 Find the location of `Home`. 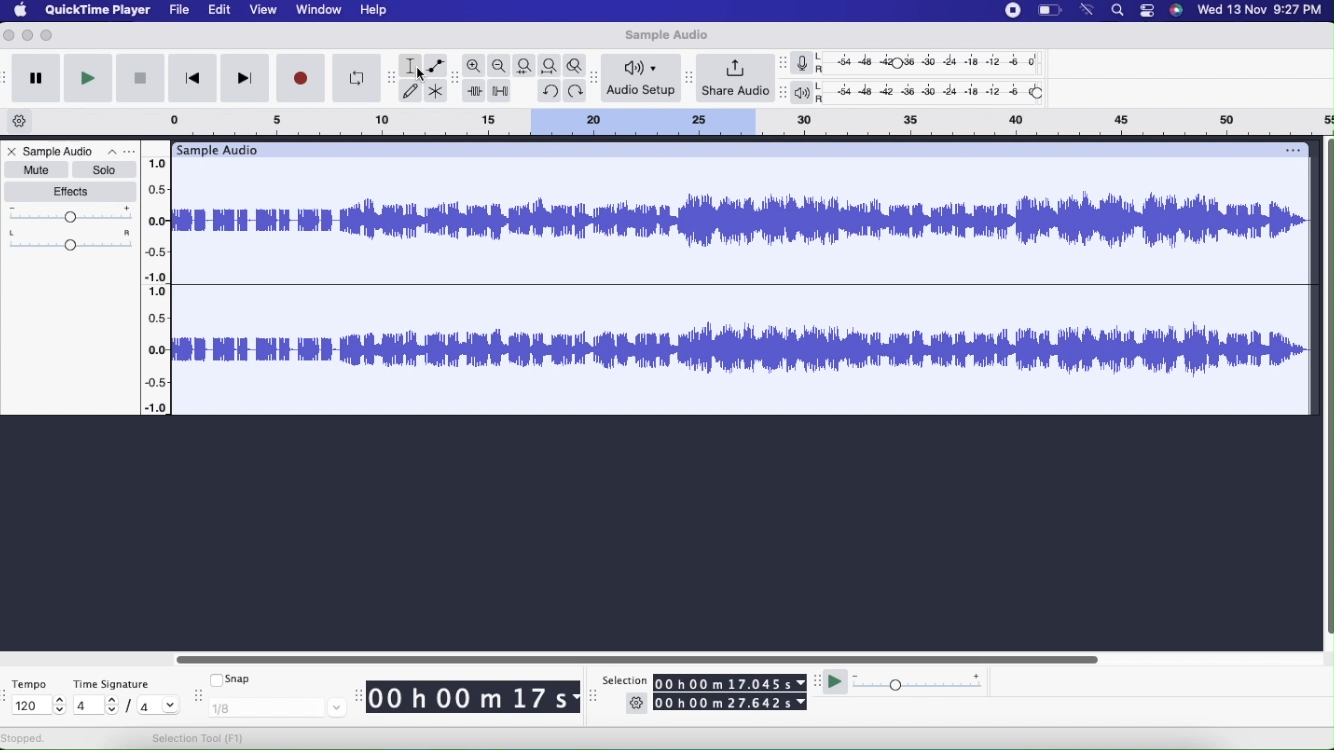

Home is located at coordinates (21, 9).